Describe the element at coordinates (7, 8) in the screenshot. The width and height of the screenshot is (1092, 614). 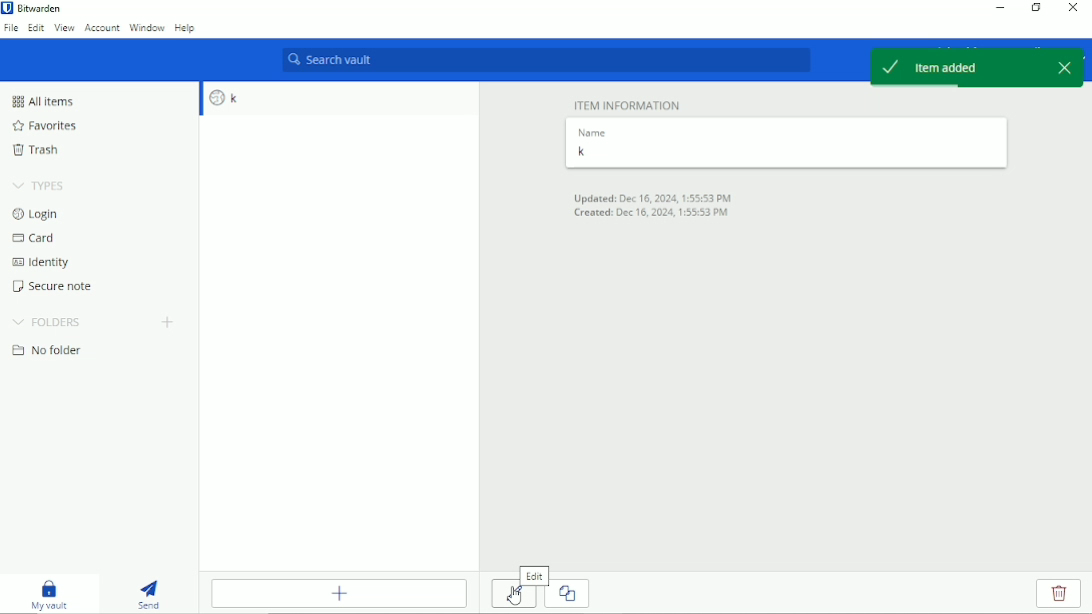
I see `bitwarden logo` at that location.